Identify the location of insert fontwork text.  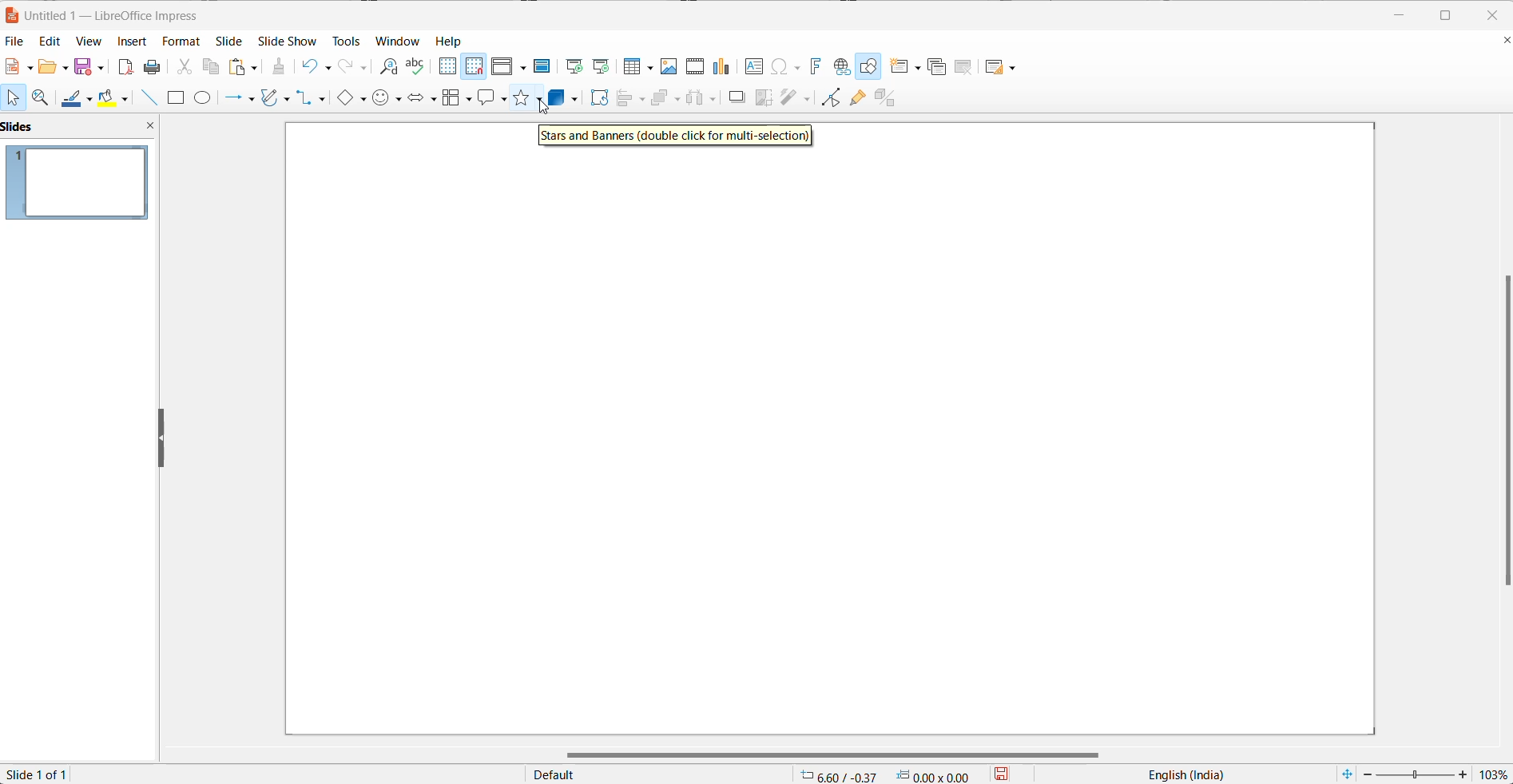
(812, 66).